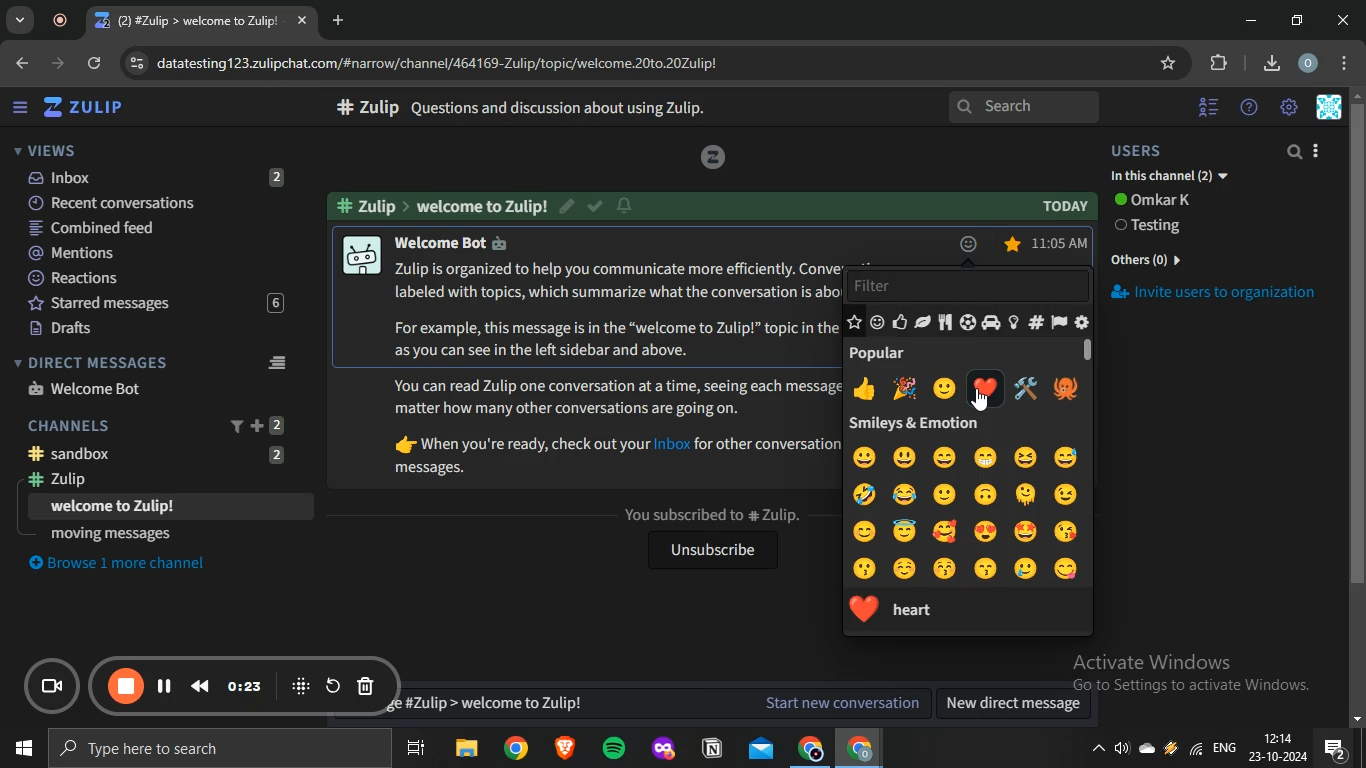  I want to click on starstruck, so click(1029, 532).